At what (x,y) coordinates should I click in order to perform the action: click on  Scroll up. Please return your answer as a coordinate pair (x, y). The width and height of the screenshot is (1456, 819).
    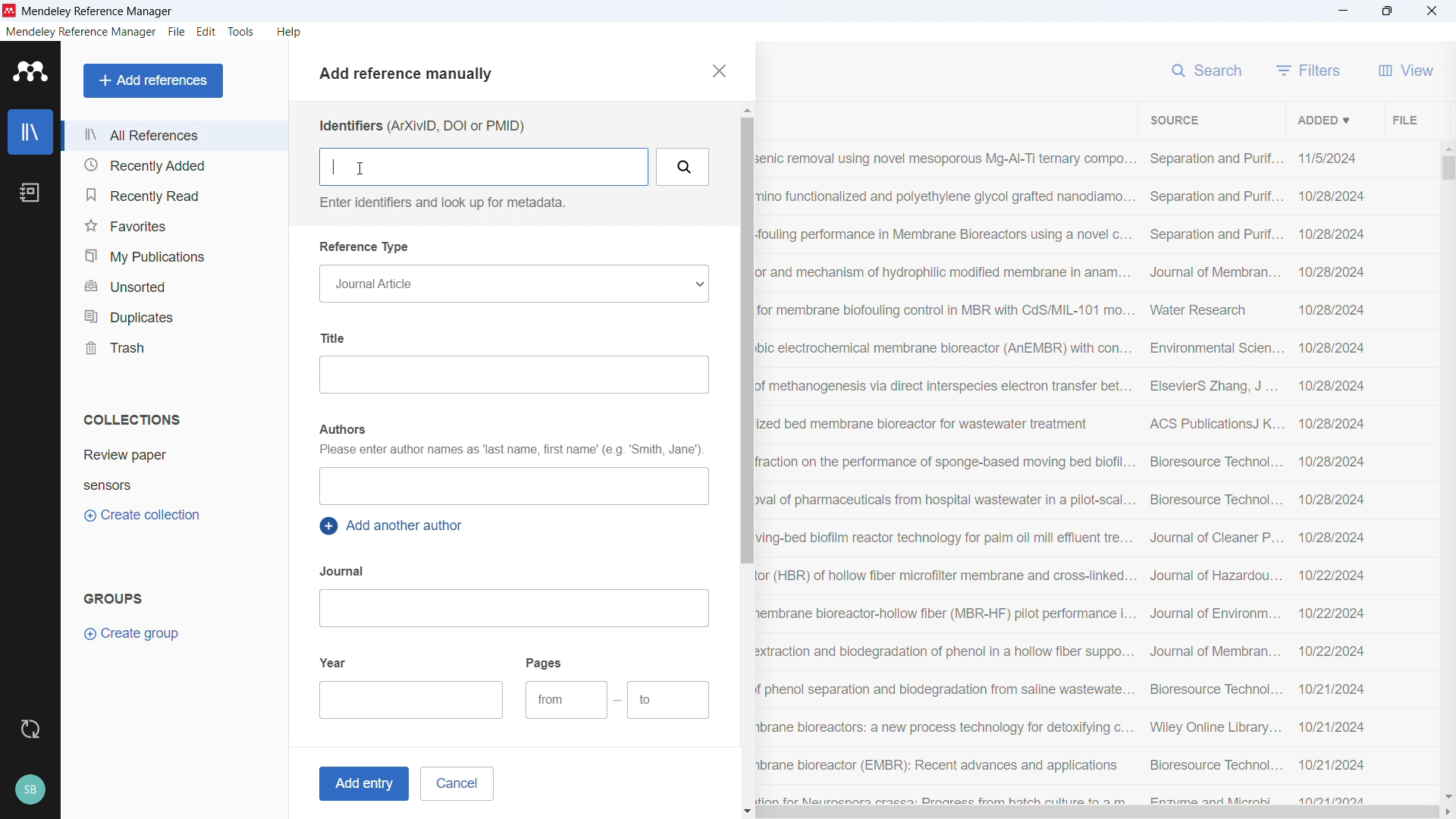
    Looking at the image, I should click on (745, 110).